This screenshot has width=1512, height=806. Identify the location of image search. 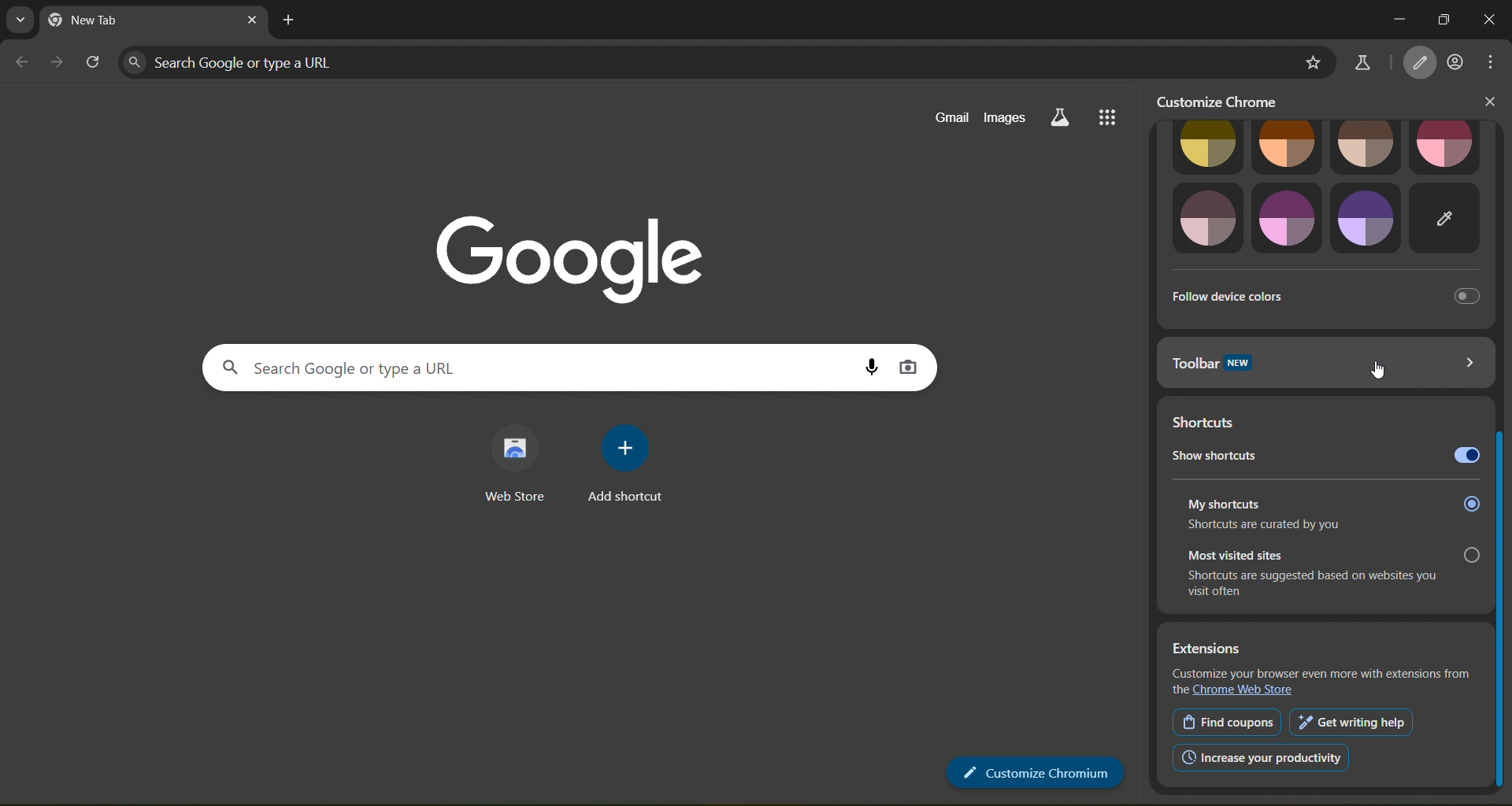
(912, 369).